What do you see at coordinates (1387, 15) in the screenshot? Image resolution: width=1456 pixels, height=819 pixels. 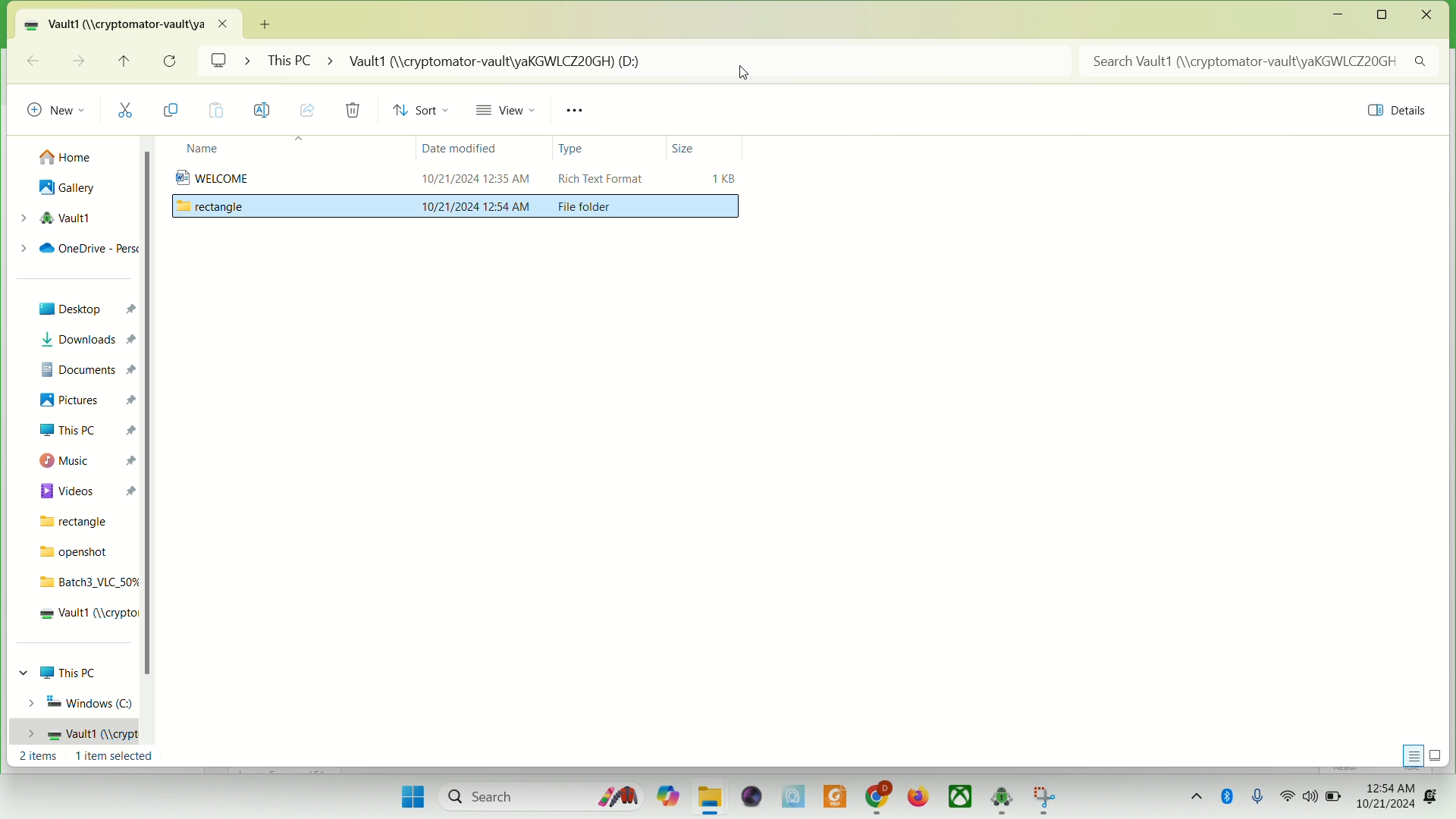 I see `maximize` at bounding box center [1387, 15].